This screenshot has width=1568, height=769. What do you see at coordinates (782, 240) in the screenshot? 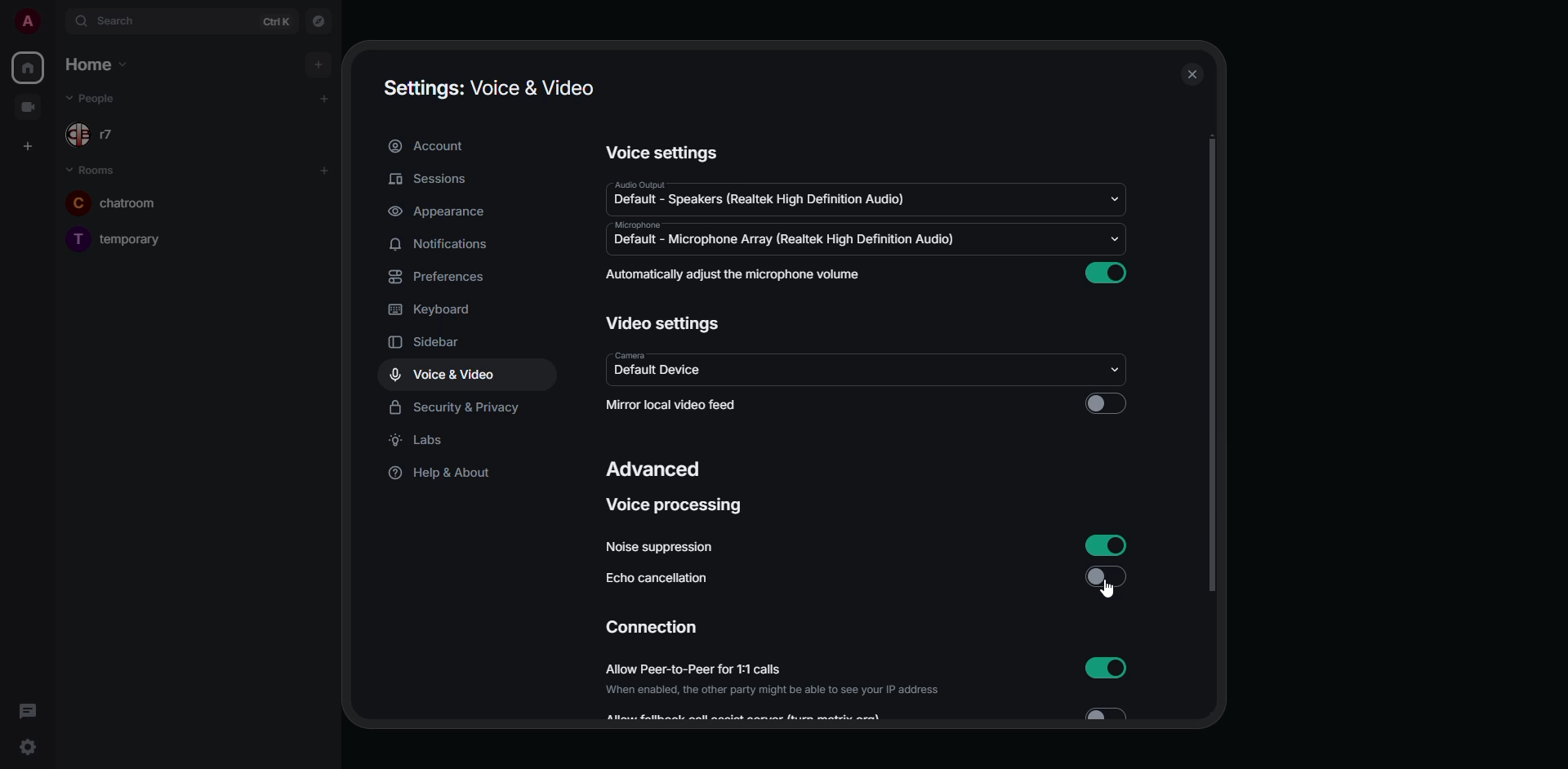
I see `default` at bounding box center [782, 240].